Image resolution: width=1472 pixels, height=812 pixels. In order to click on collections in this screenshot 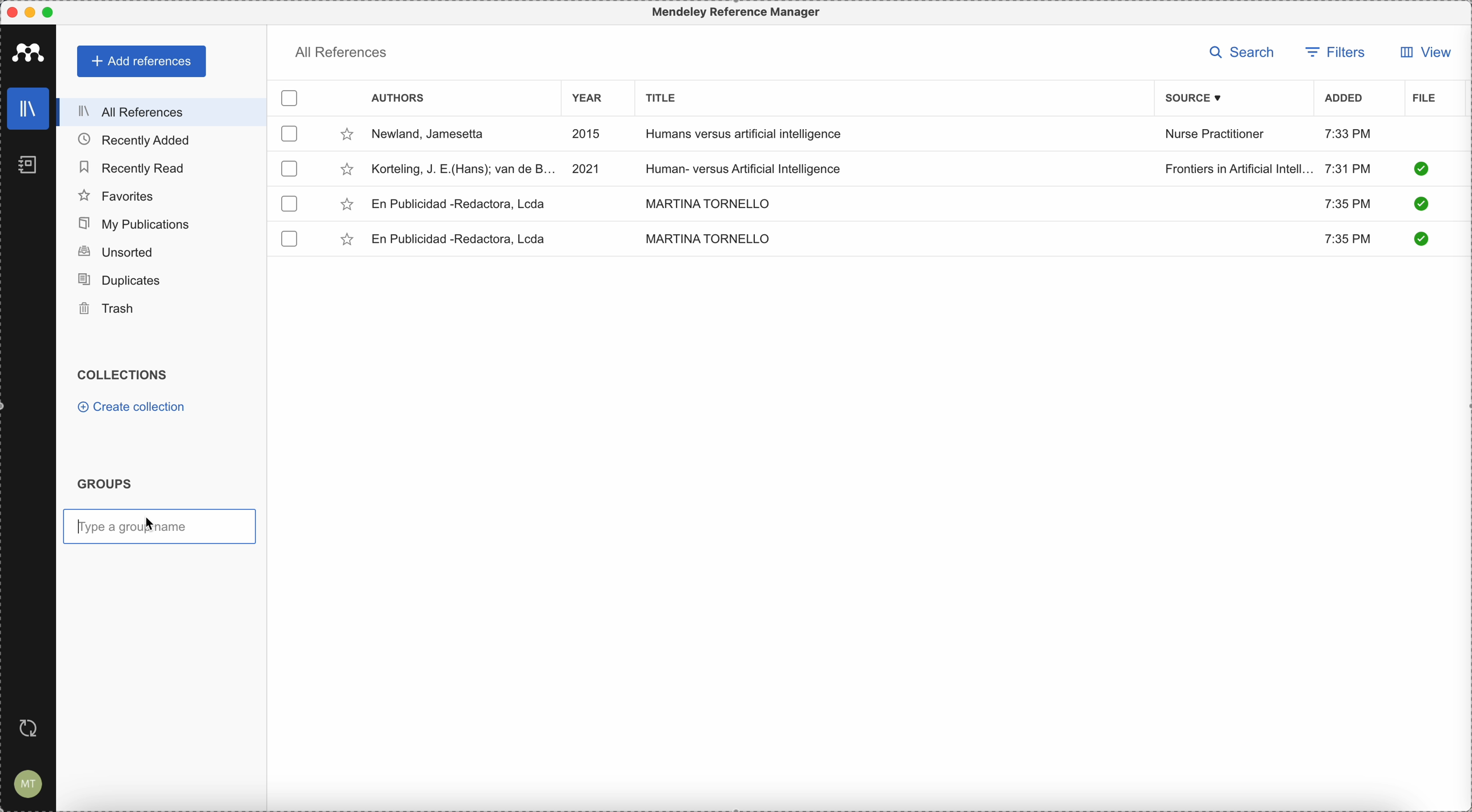, I will do `click(125, 375)`.